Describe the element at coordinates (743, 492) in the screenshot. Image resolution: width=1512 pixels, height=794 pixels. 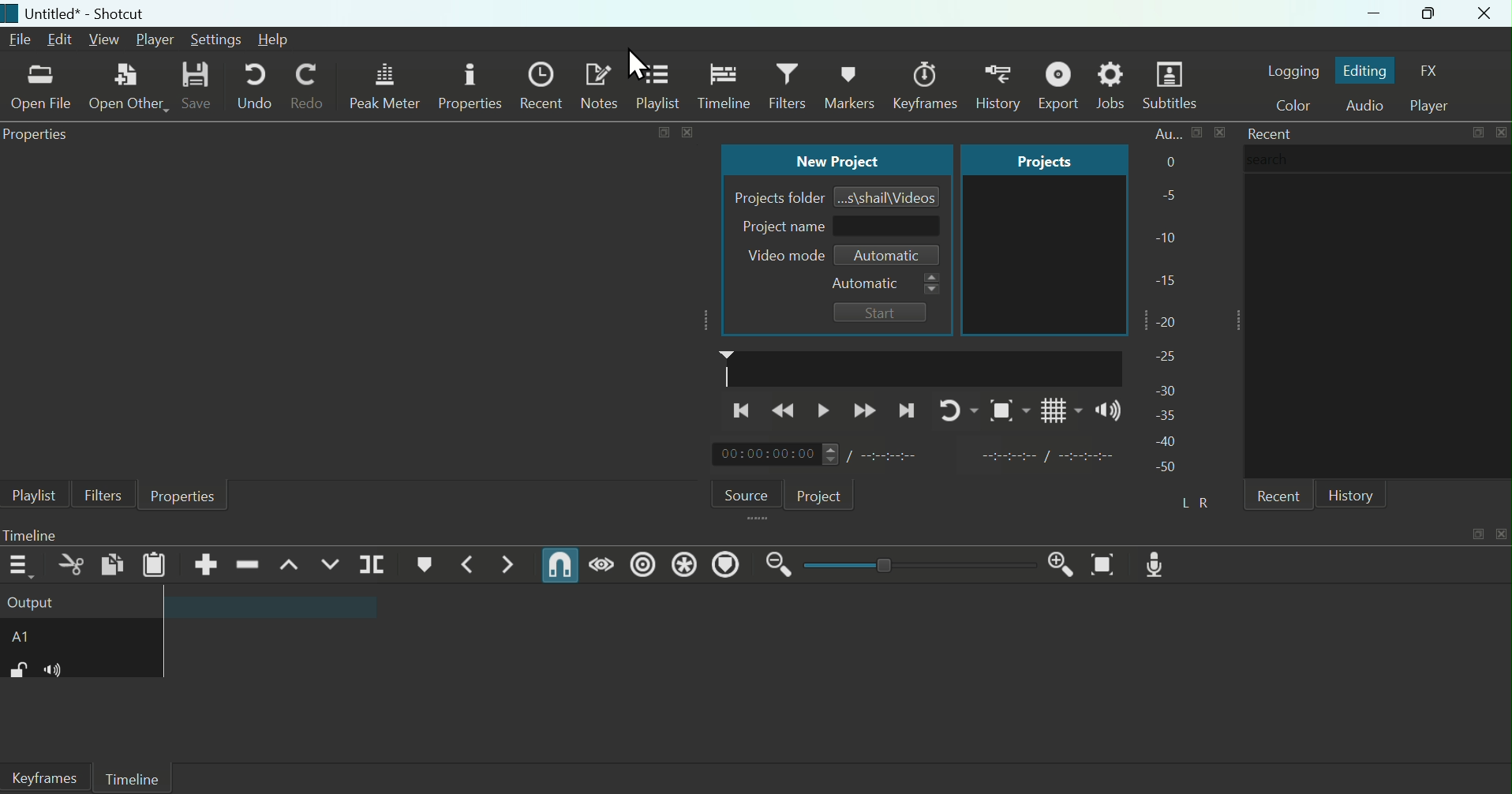
I see `Source` at that location.